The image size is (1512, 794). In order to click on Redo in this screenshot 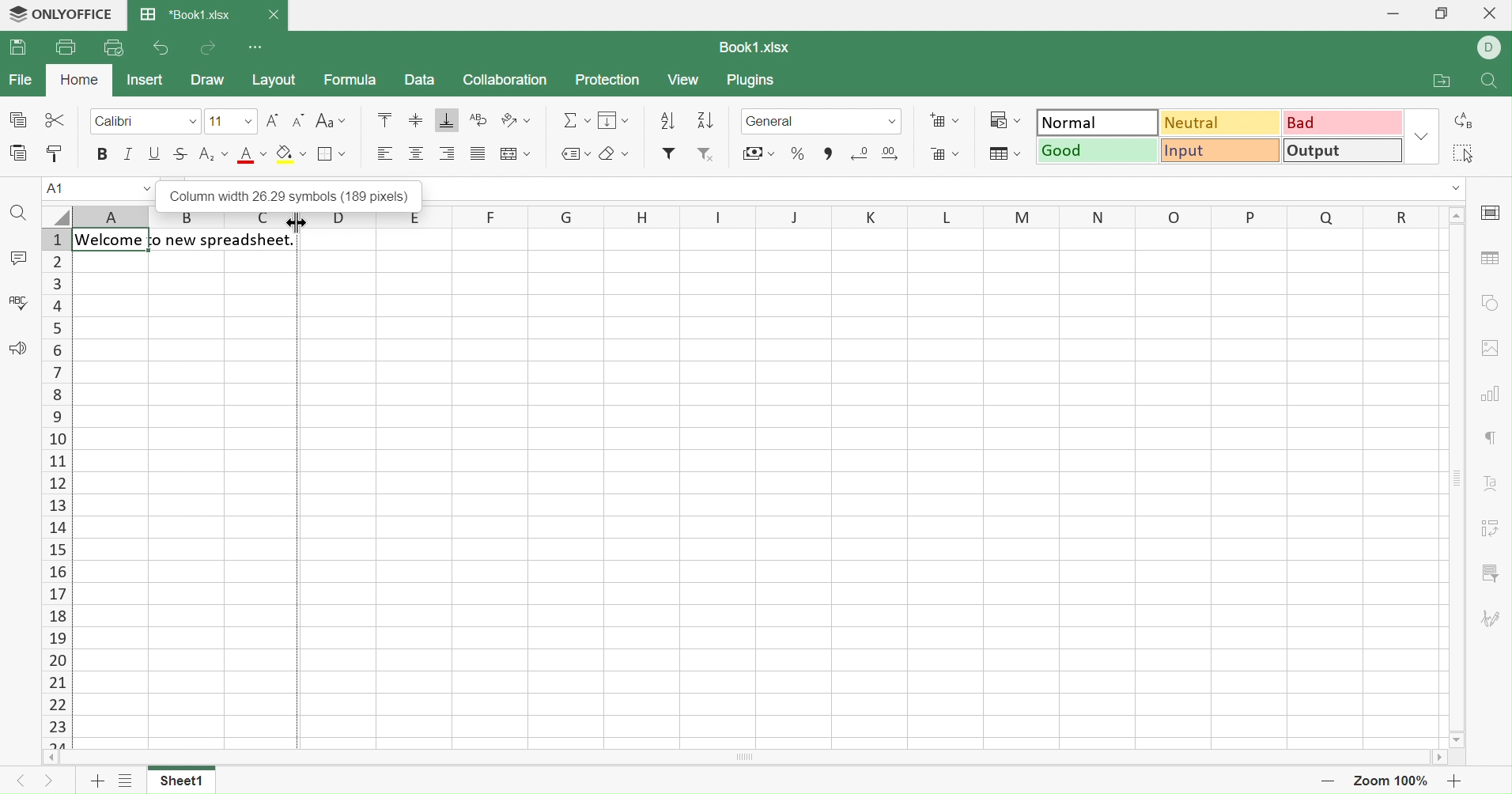, I will do `click(211, 49)`.